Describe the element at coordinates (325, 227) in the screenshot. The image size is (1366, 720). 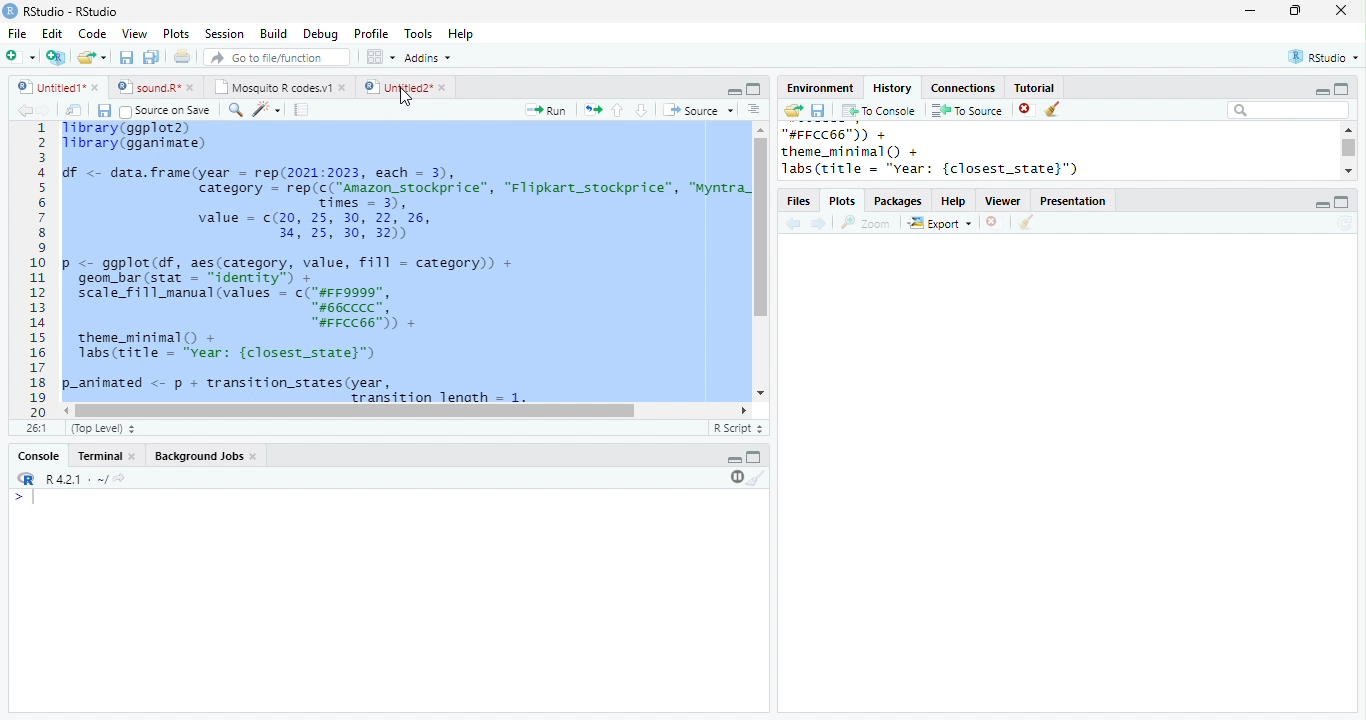
I see `value = c(20, 25, 30, 22, 26,
34, 25, 30, 32)` at that location.